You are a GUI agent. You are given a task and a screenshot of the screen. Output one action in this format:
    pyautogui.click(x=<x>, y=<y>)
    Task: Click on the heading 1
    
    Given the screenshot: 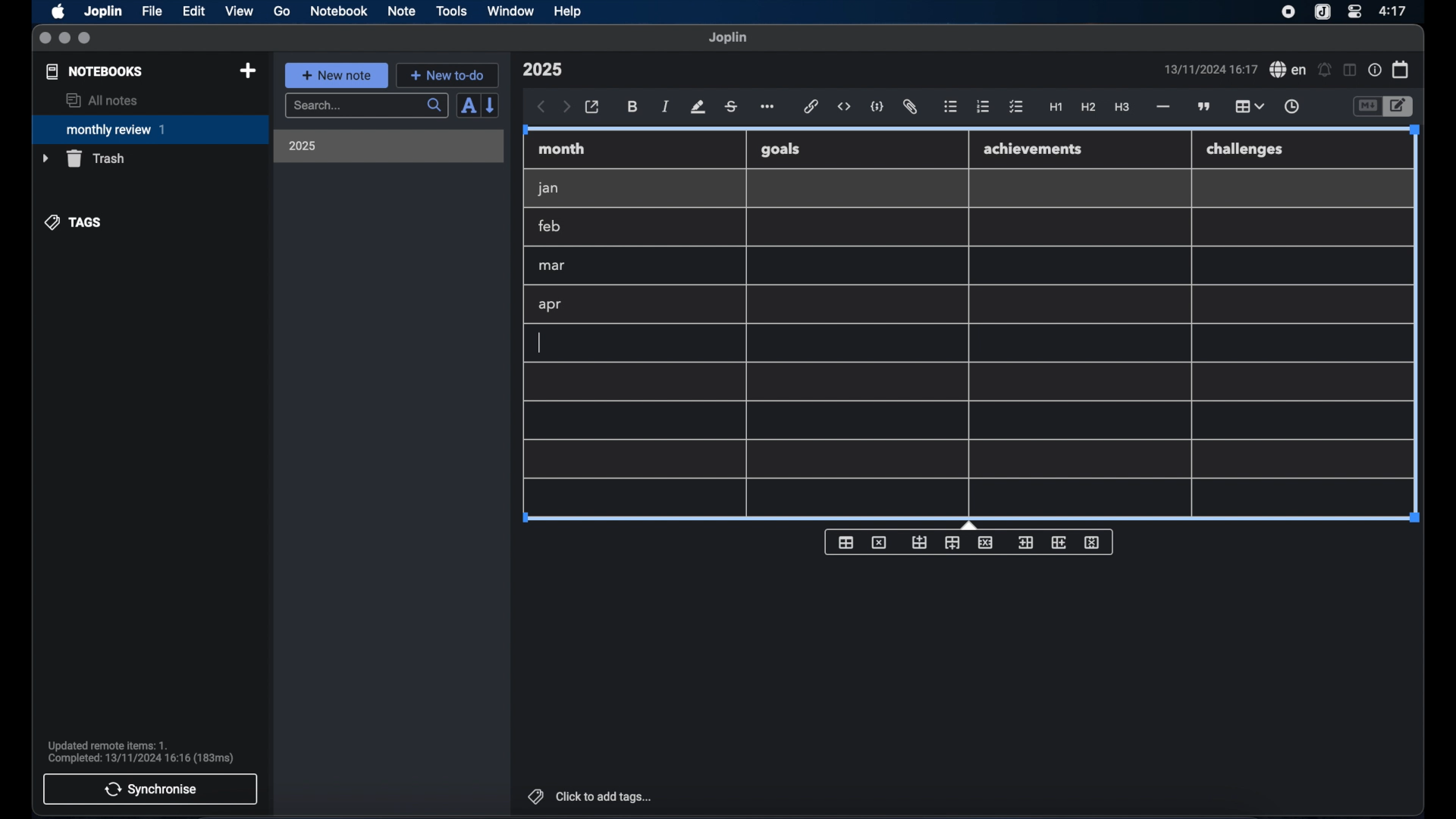 What is the action you would take?
    pyautogui.click(x=1056, y=108)
    